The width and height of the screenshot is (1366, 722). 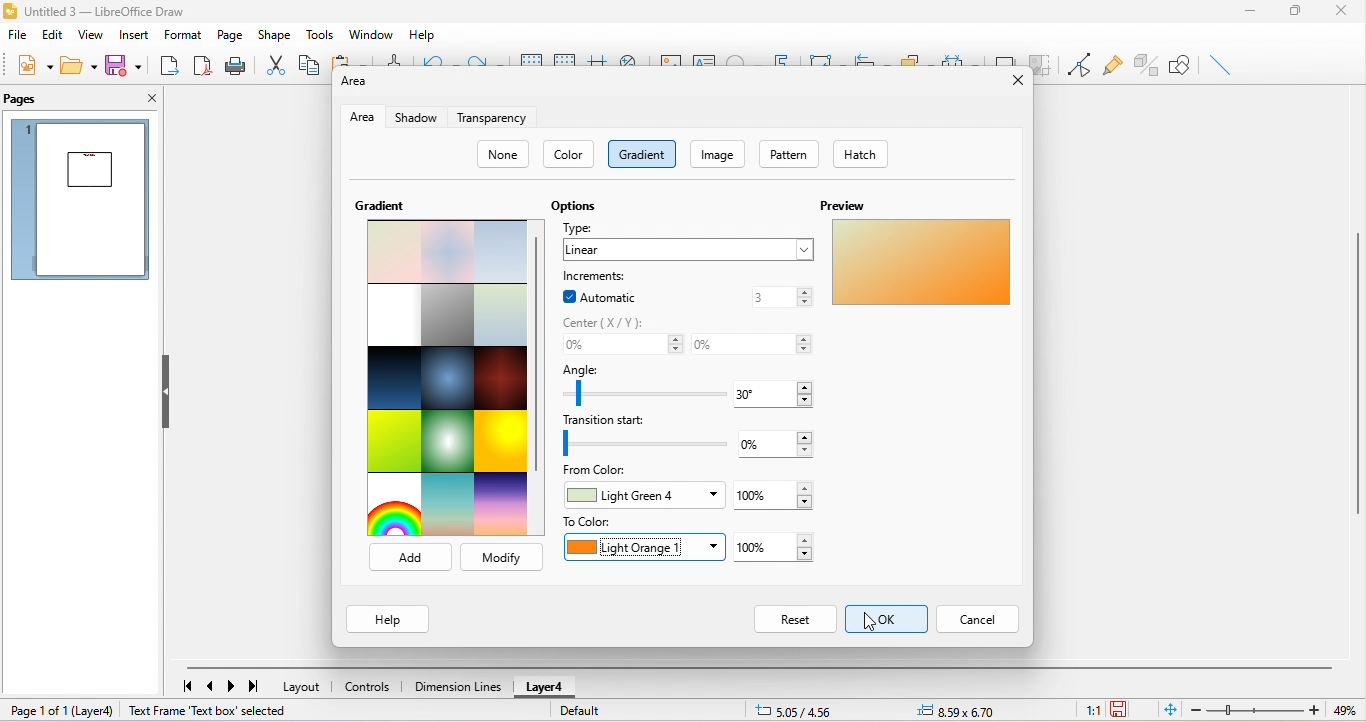 I want to click on object position-8.59x6.70, so click(x=961, y=712).